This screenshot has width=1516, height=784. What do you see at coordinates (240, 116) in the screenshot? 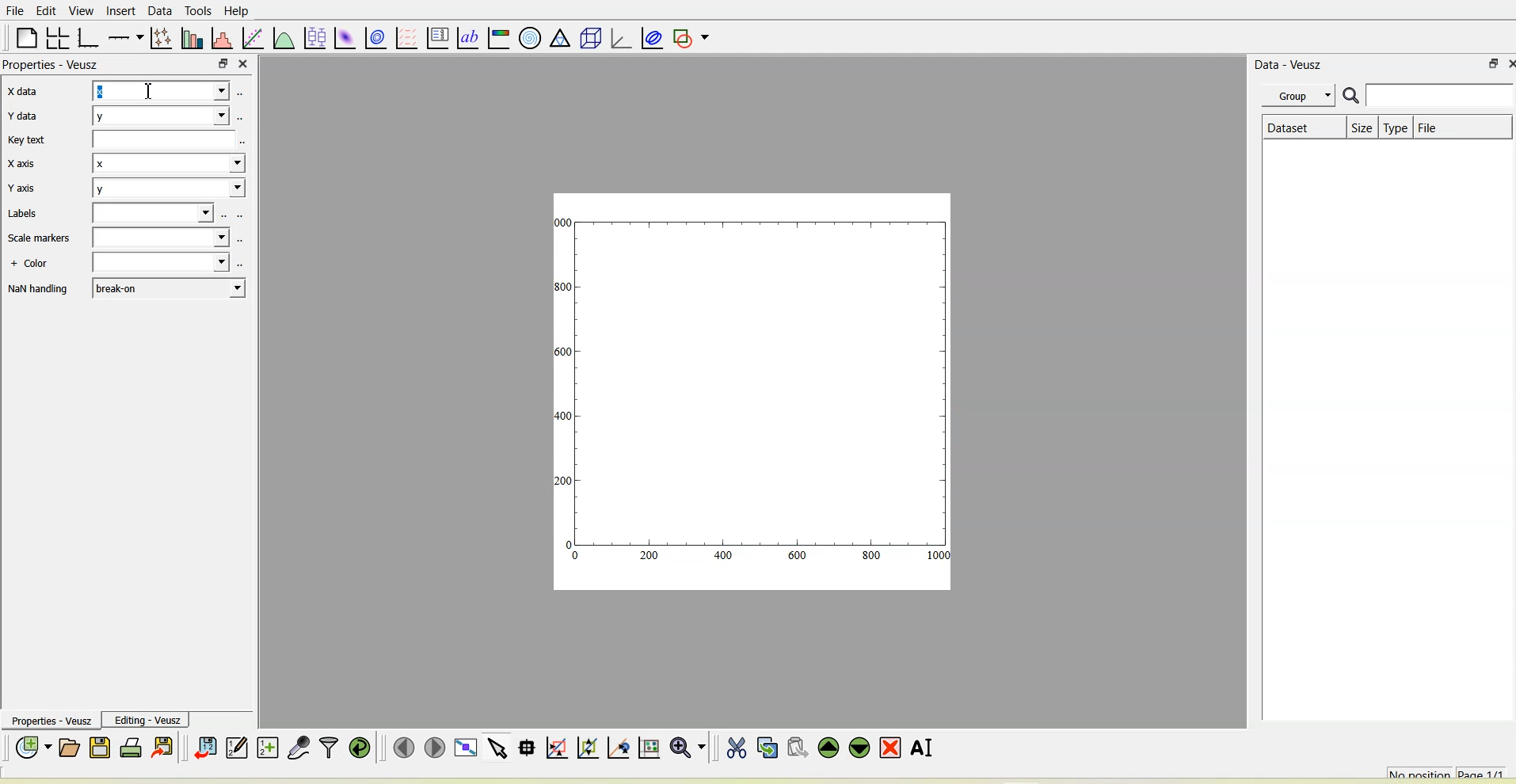
I see `select using dataset browser` at bounding box center [240, 116].